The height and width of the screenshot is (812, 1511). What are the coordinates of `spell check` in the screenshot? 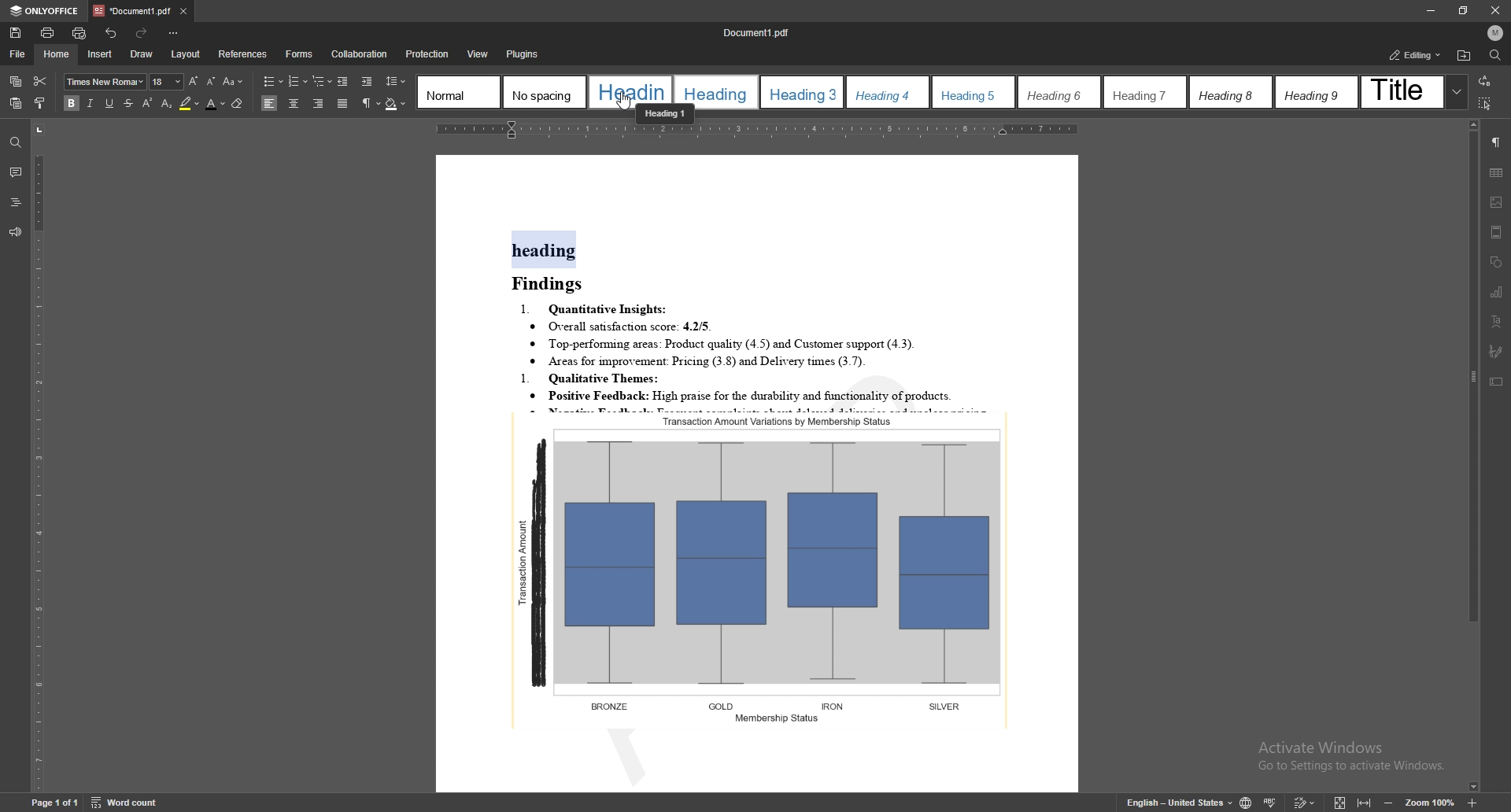 It's located at (1271, 803).